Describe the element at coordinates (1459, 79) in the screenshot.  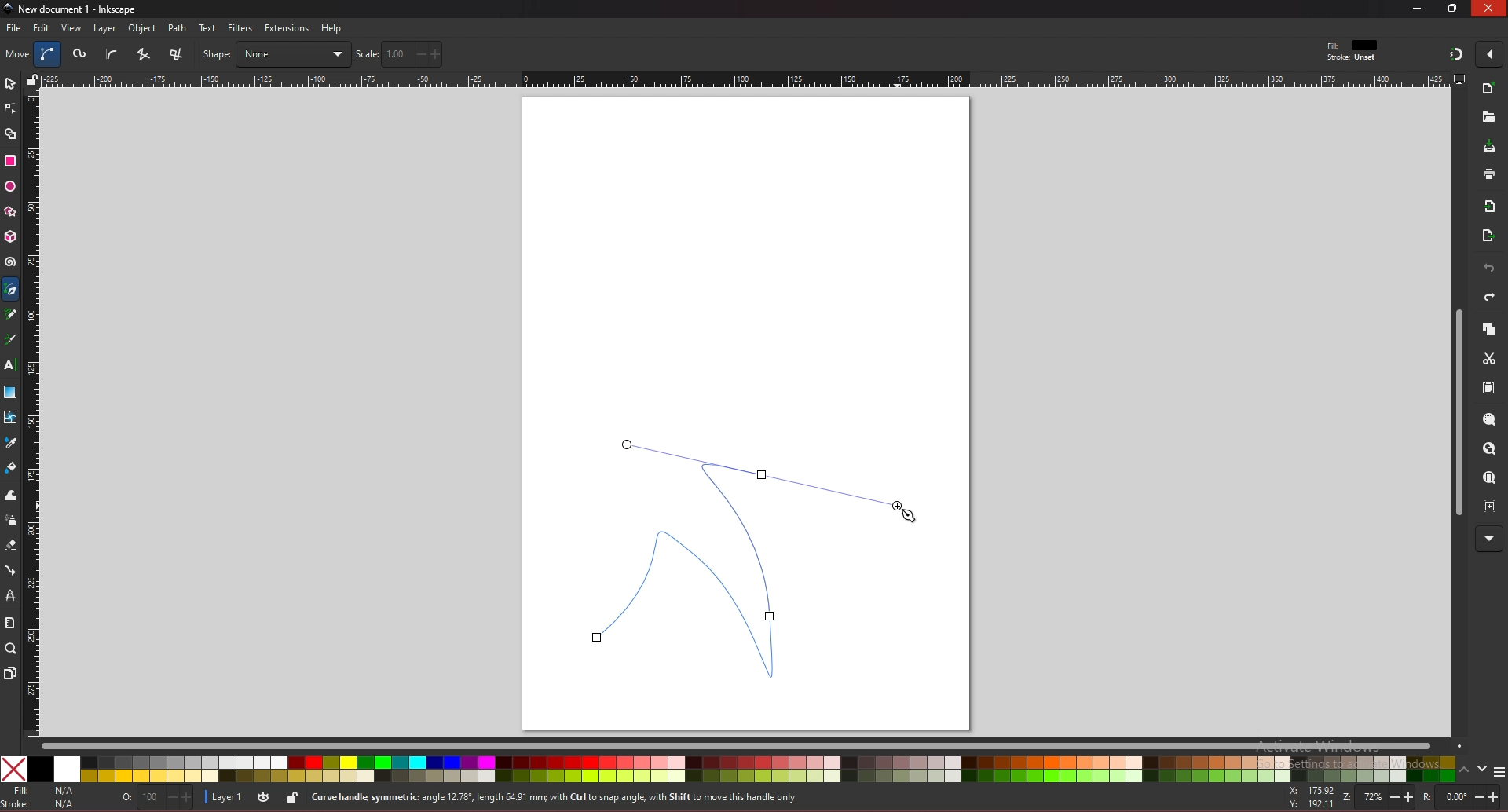
I see `display options` at that location.